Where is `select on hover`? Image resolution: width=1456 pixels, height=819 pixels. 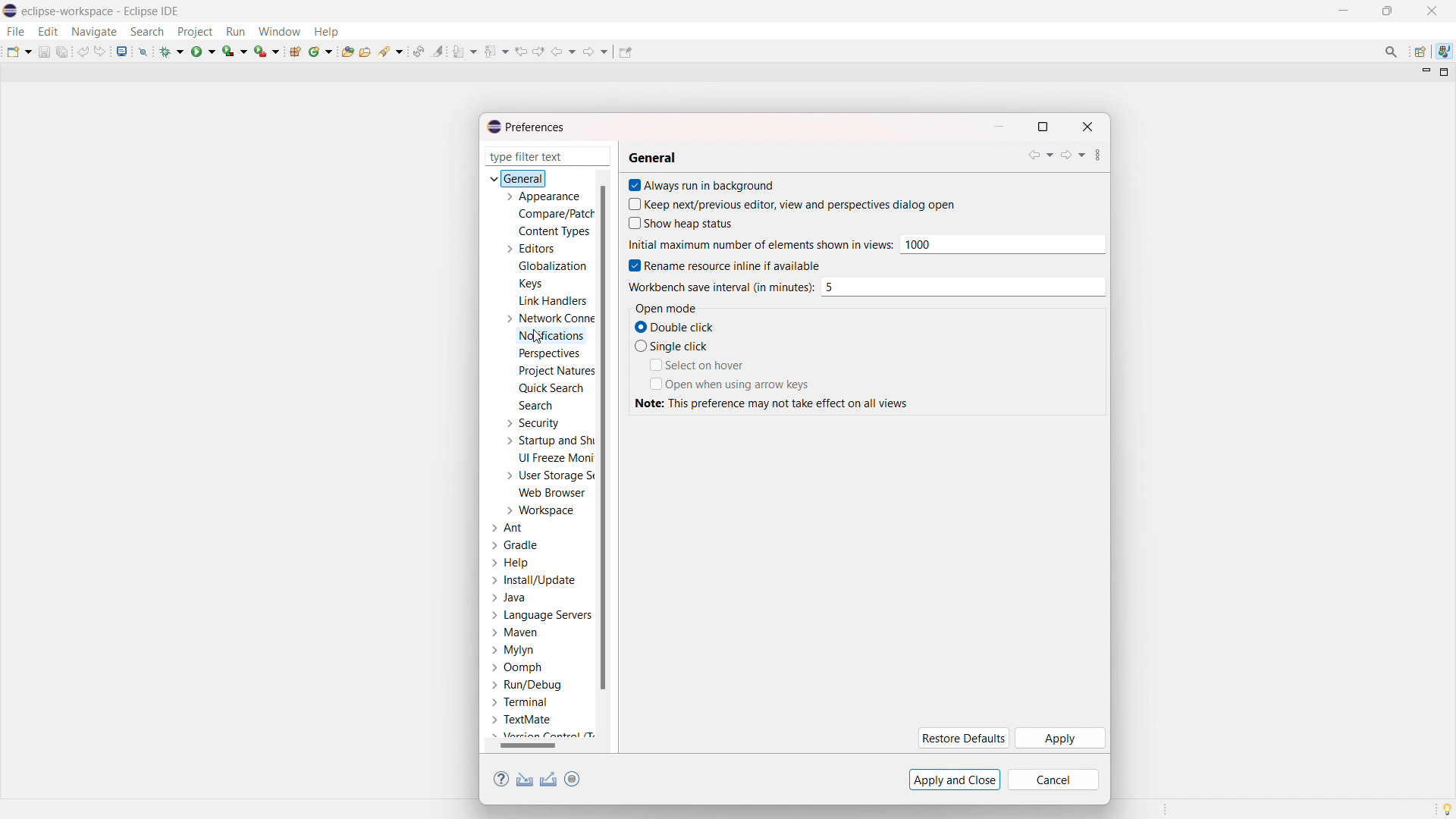
select on hover is located at coordinates (705, 365).